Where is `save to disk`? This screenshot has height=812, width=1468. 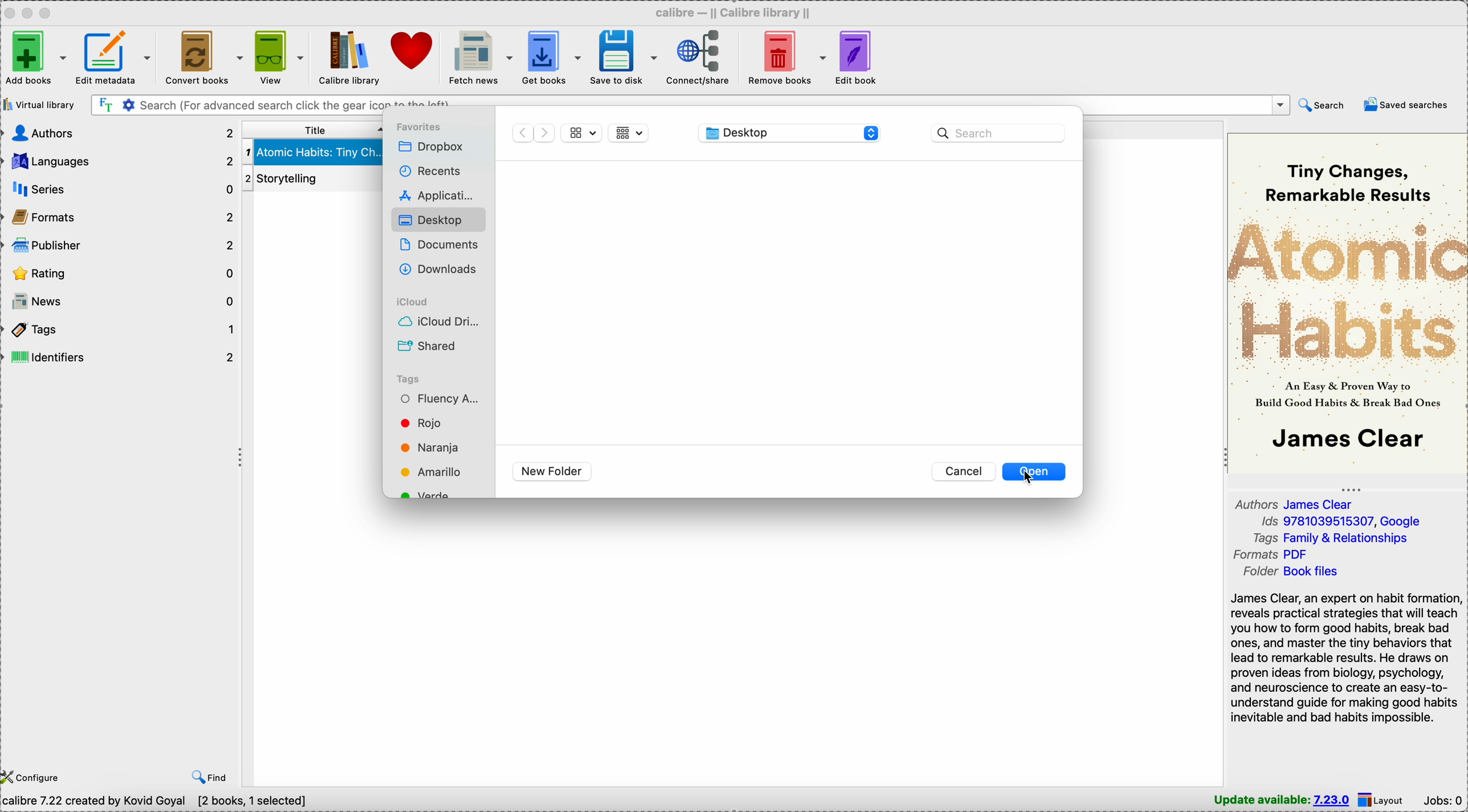
save to disk is located at coordinates (622, 57).